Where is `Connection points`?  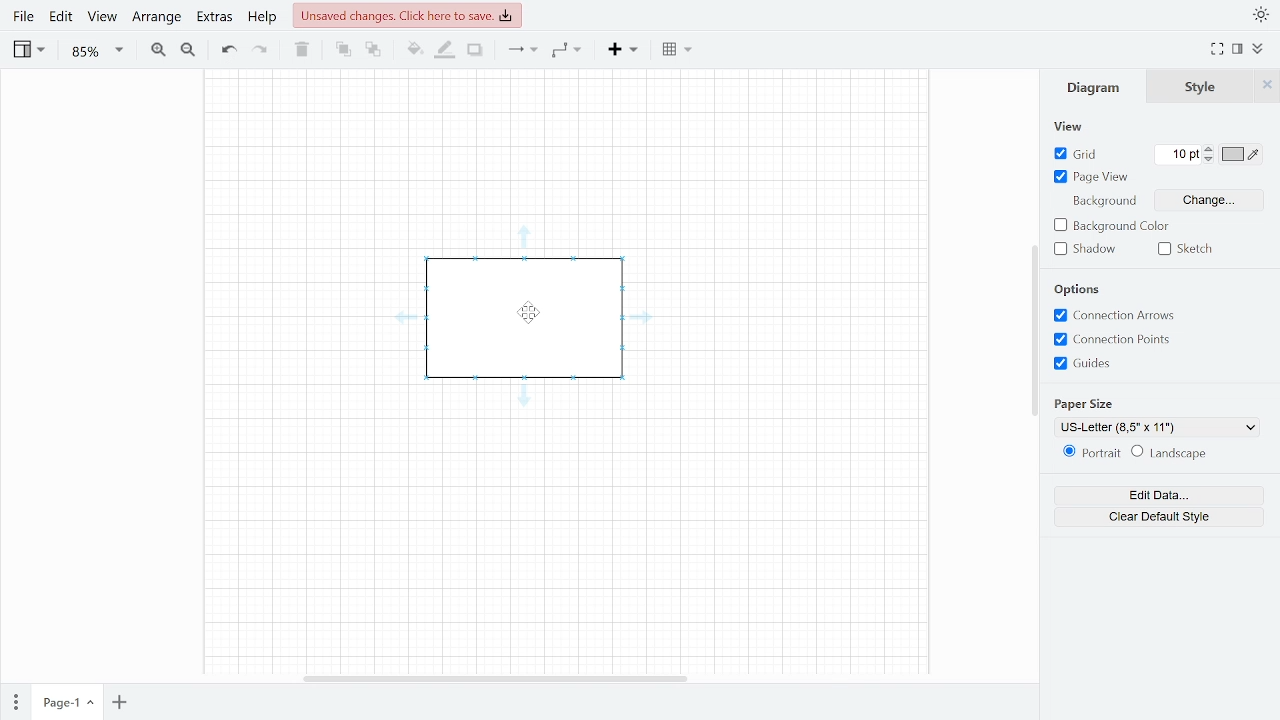 Connection points is located at coordinates (1116, 340).